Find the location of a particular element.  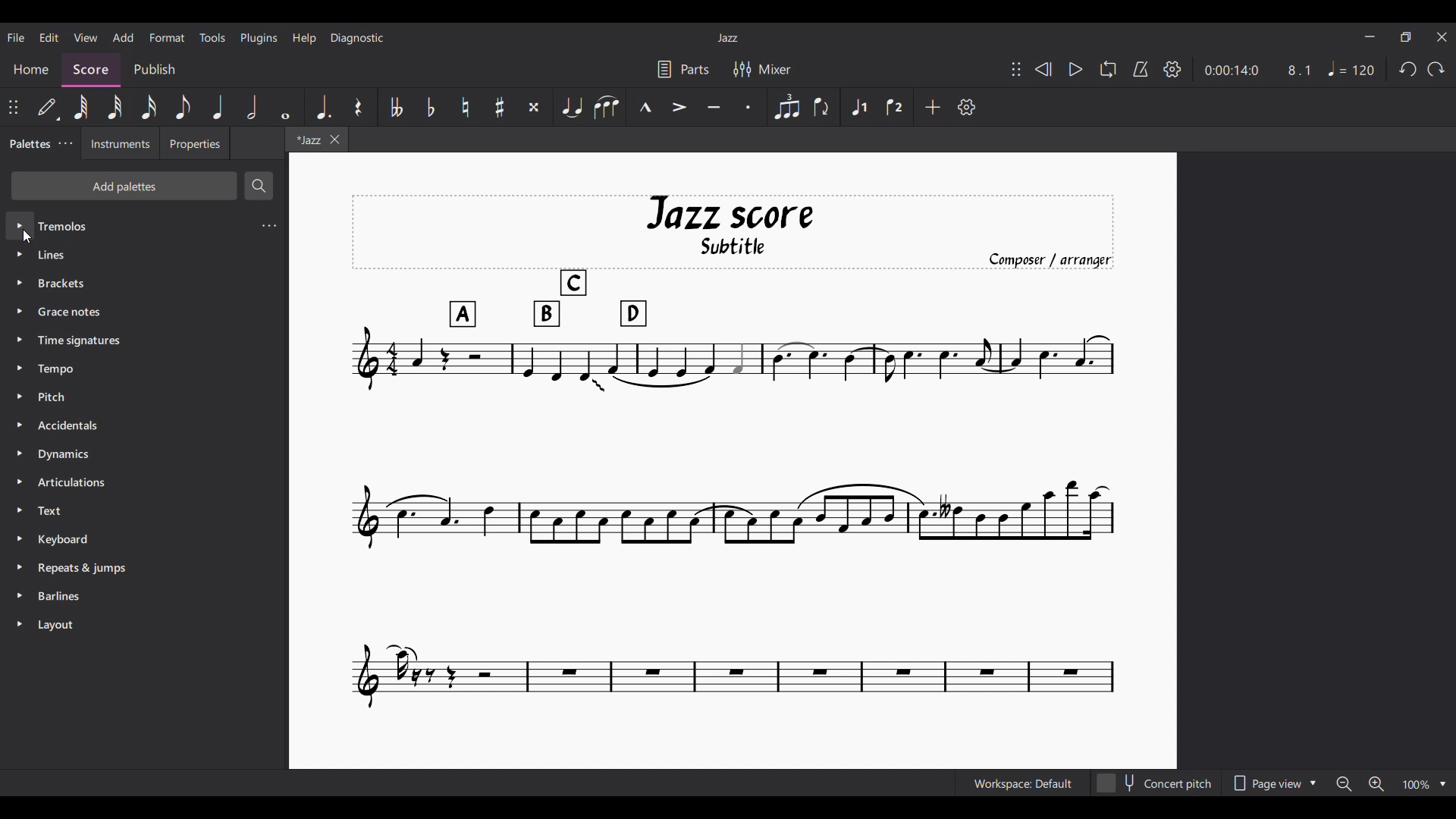

Zoom out is located at coordinates (1344, 784).